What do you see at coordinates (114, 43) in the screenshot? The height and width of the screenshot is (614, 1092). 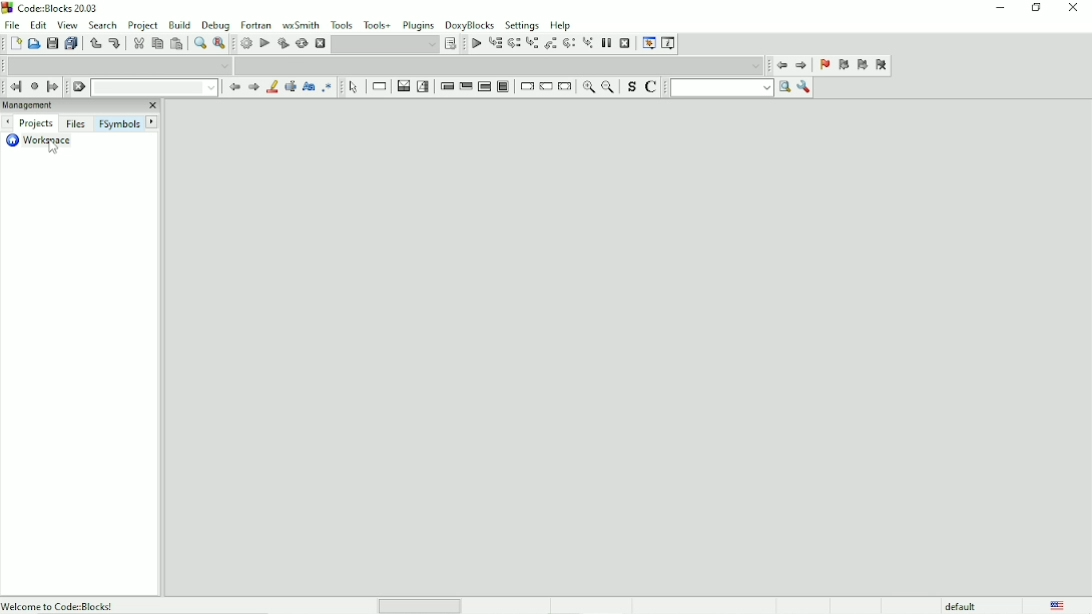 I see `Redo` at bounding box center [114, 43].